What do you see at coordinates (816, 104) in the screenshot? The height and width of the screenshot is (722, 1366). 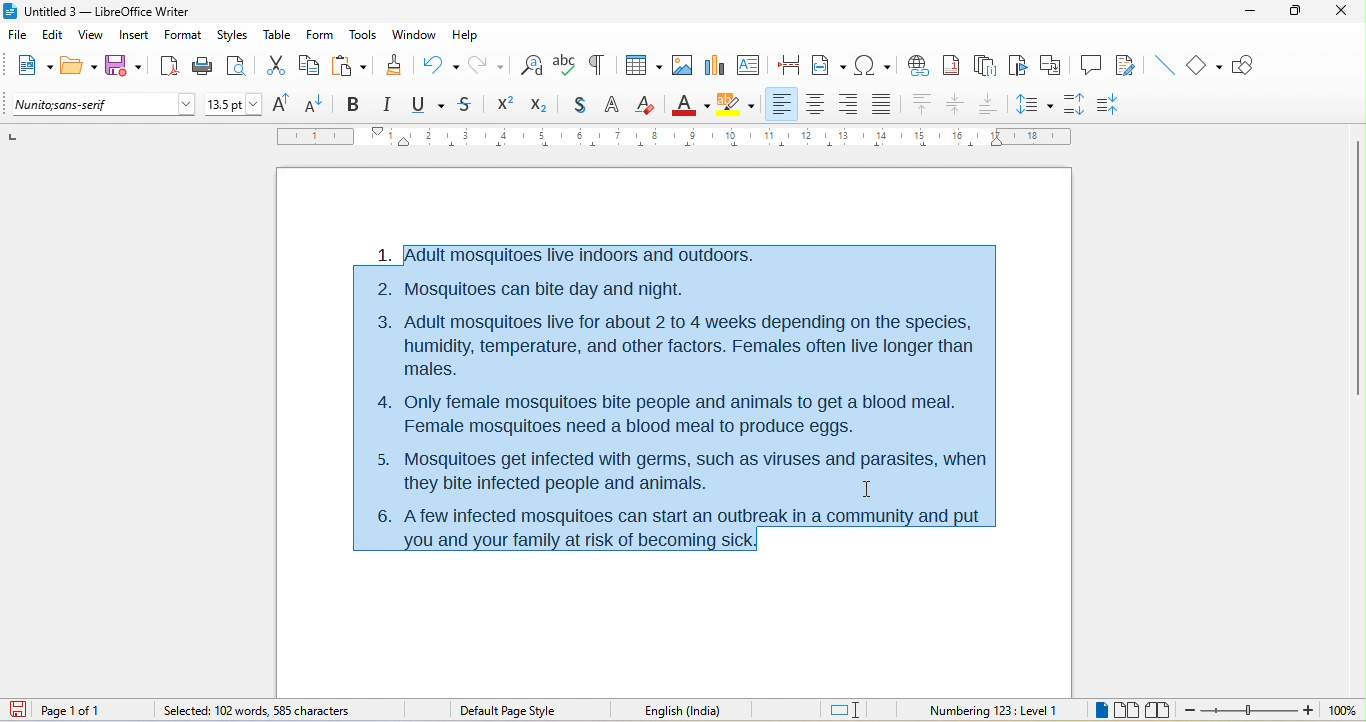 I see `align center` at bounding box center [816, 104].